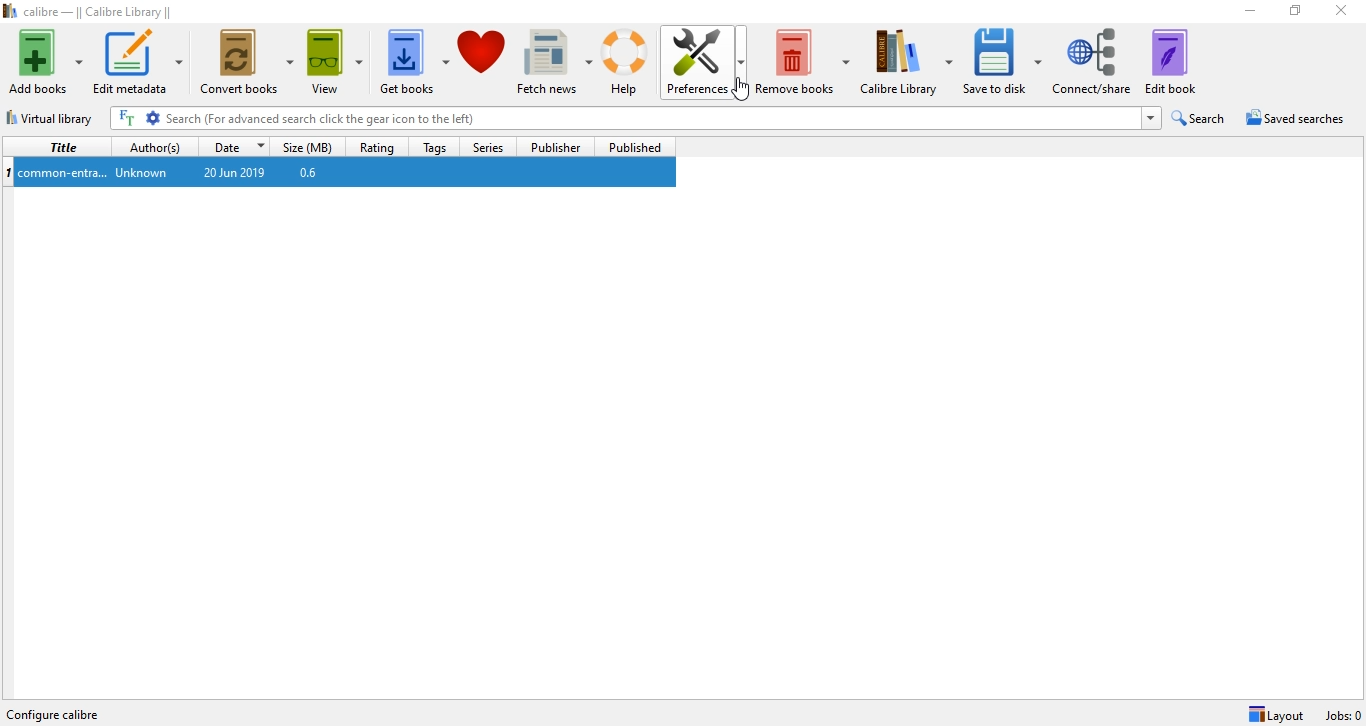  I want to click on Close, so click(1345, 13).